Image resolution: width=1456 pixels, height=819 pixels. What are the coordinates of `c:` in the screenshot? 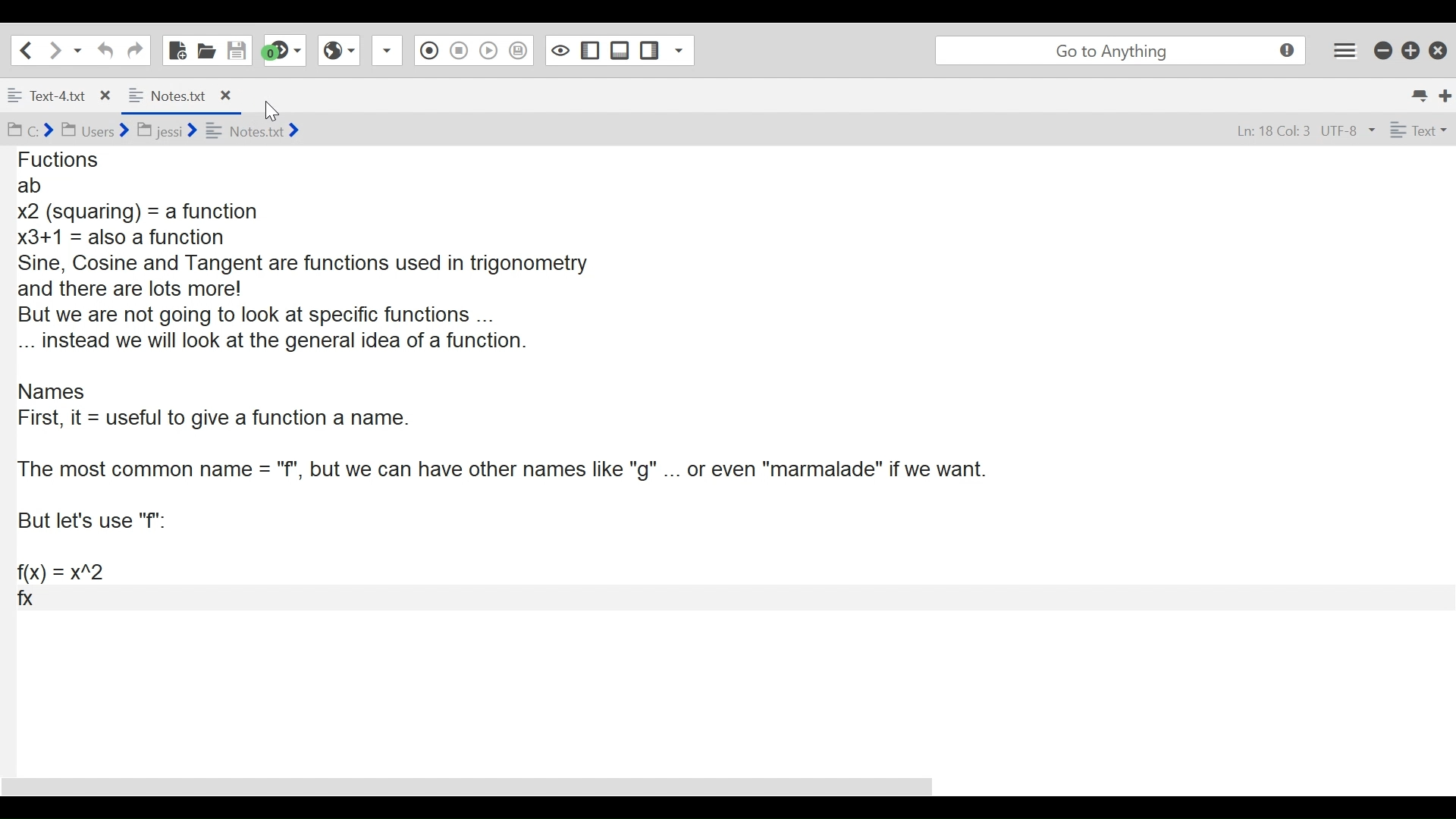 It's located at (29, 130).